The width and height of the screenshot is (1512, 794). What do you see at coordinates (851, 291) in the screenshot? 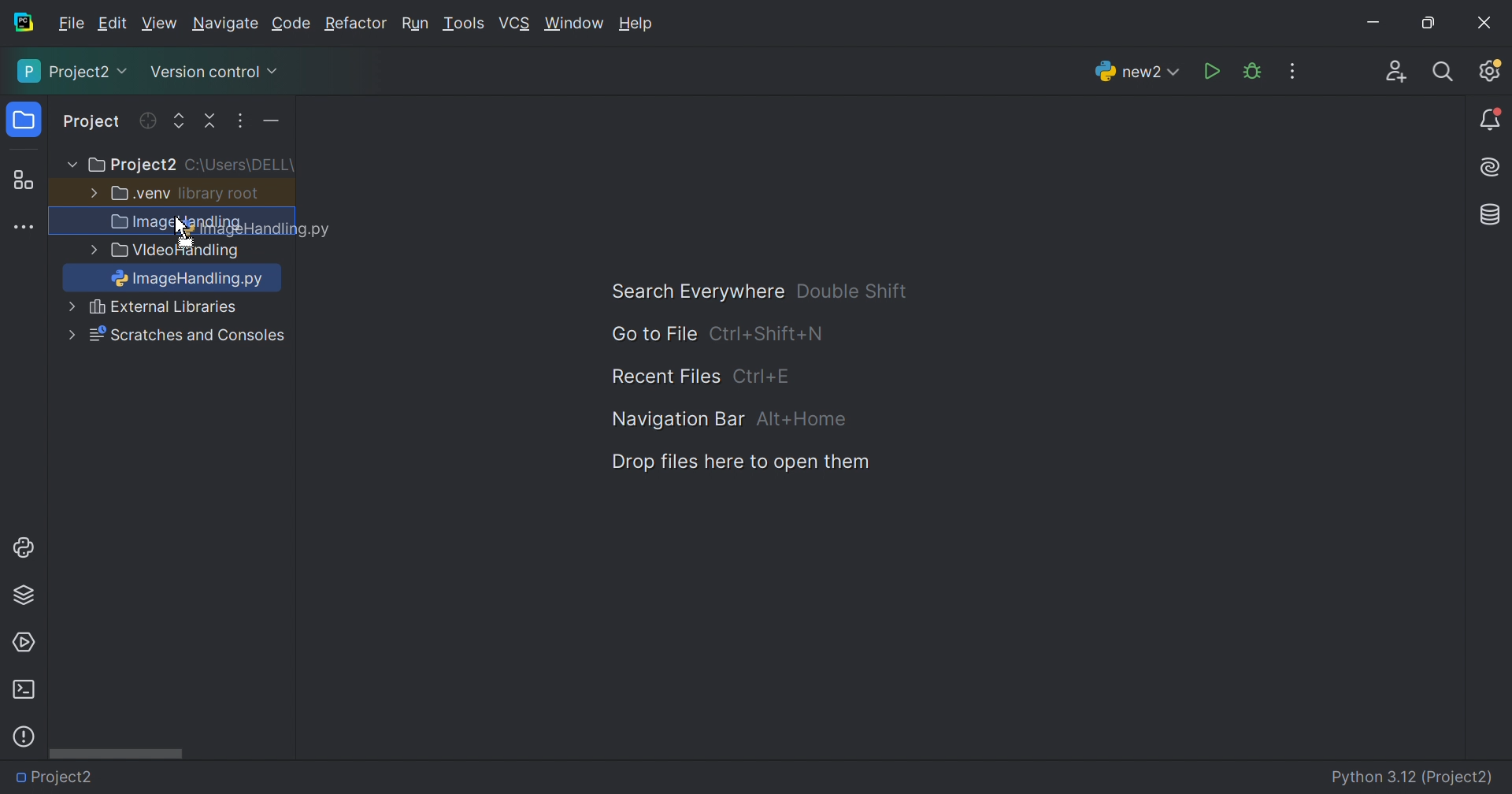
I see `Double Shift` at bounding box center [851, 291].